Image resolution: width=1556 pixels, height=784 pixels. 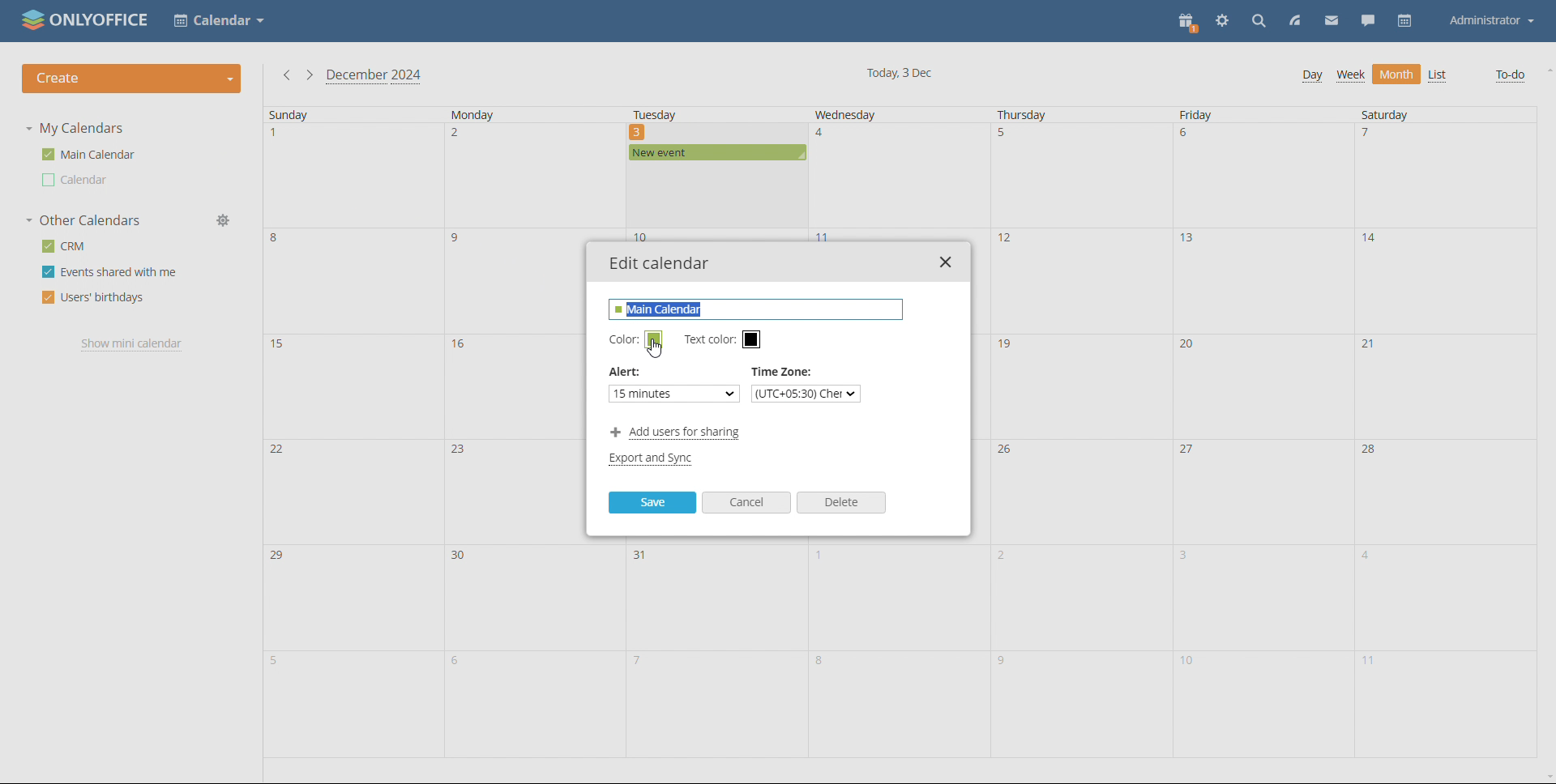 I want to click on week view, so click(x=1350, y=76).